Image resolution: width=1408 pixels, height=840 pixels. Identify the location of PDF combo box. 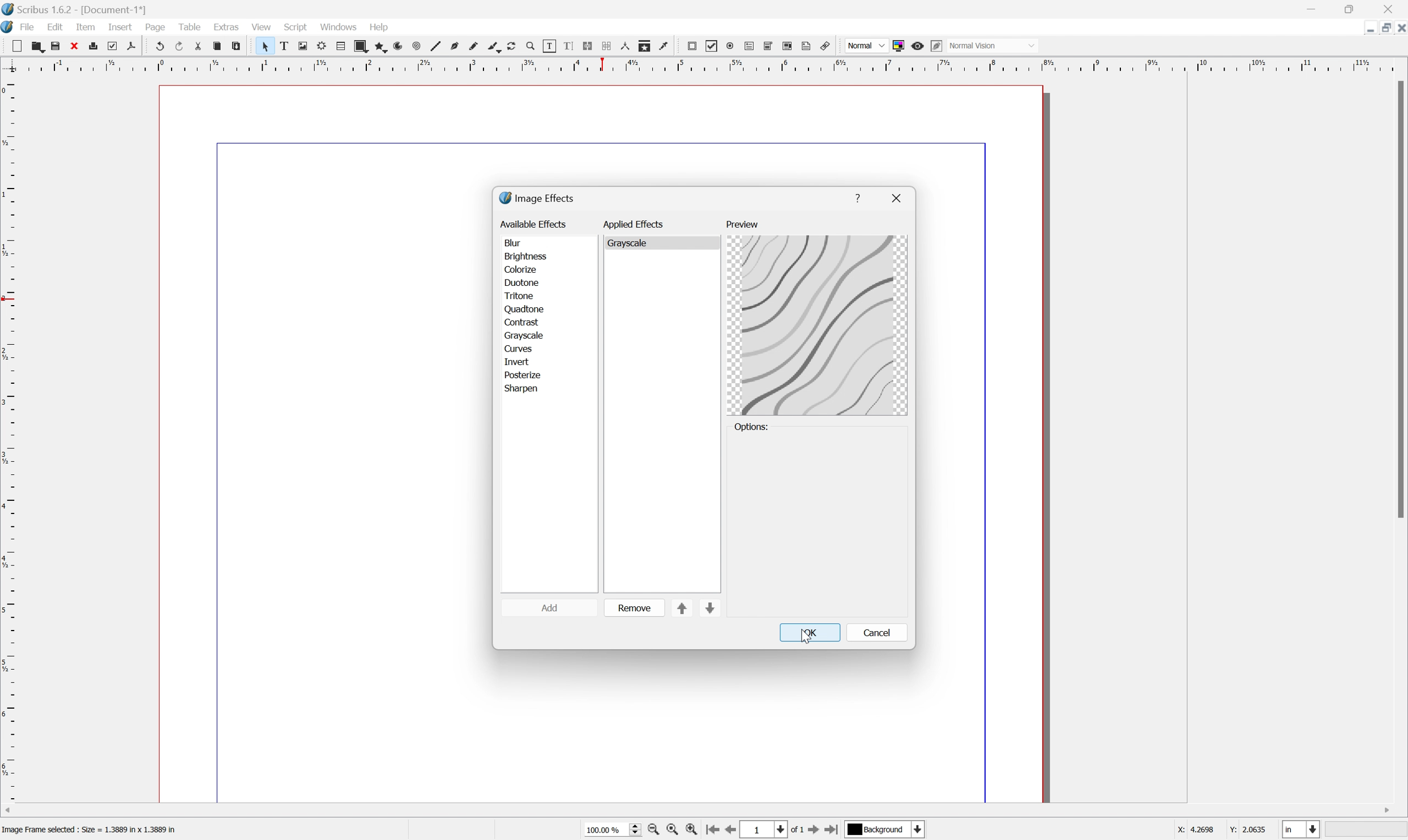
(772, 46).